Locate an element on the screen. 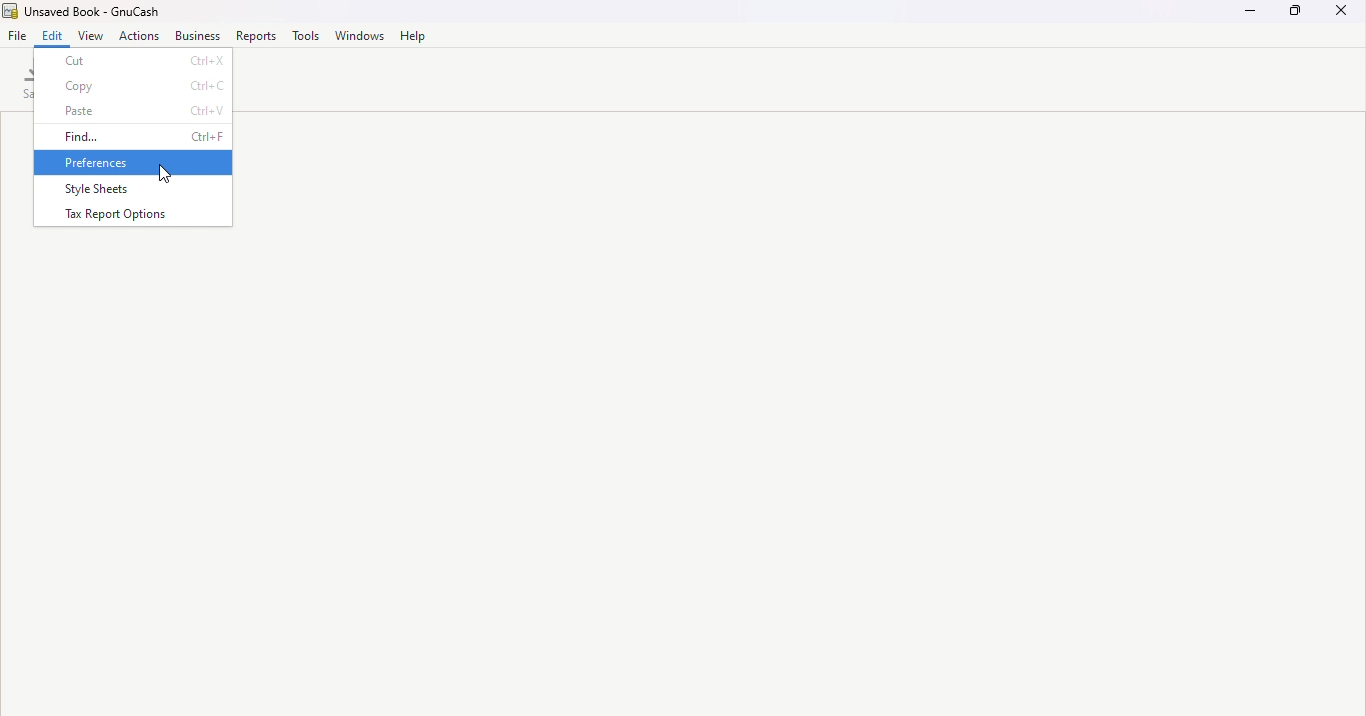  Preferences is located at coordinates (134, 163).